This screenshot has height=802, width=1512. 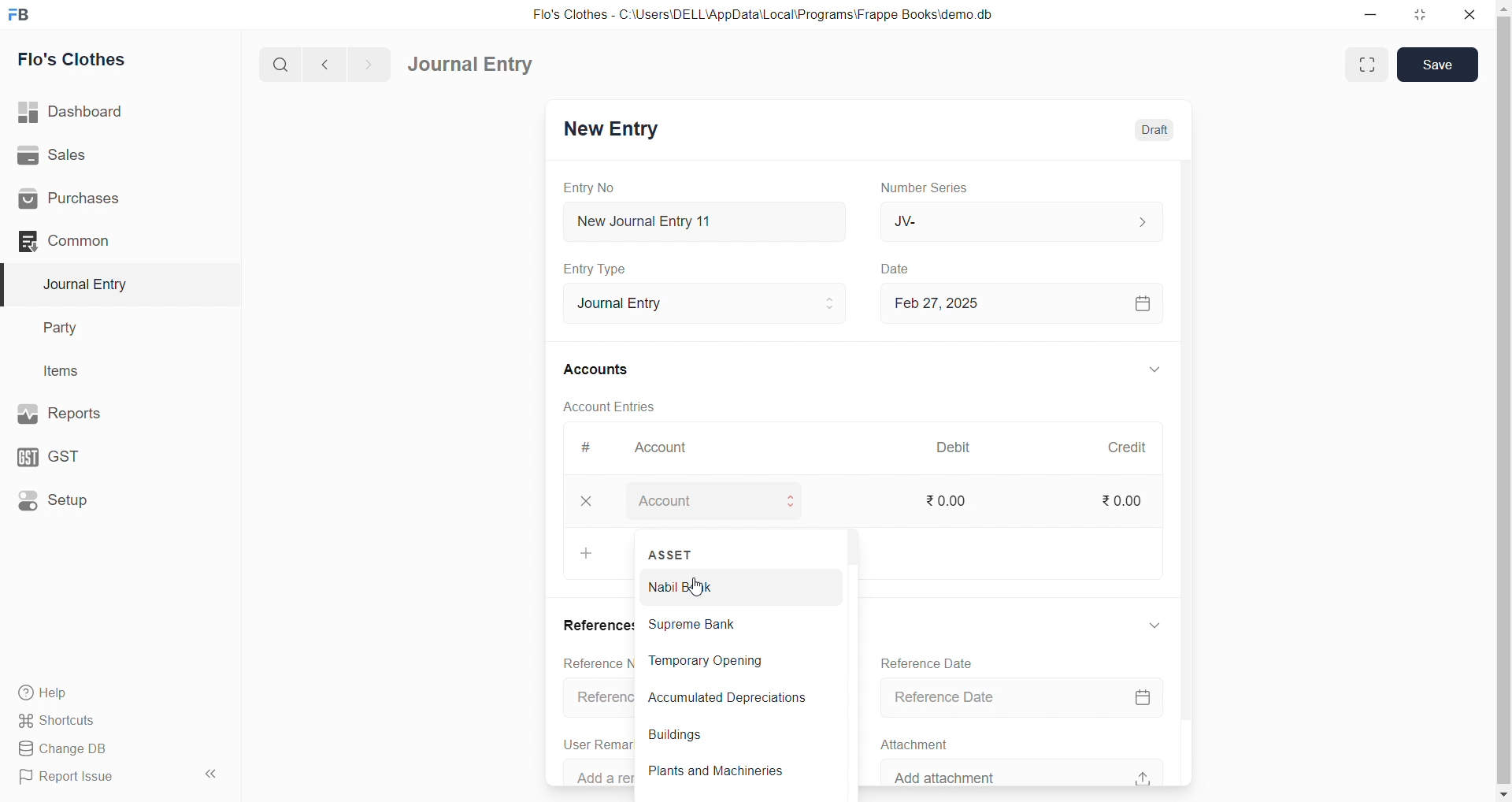 I want to click on Journal Entry, so click(x=715, y=303).